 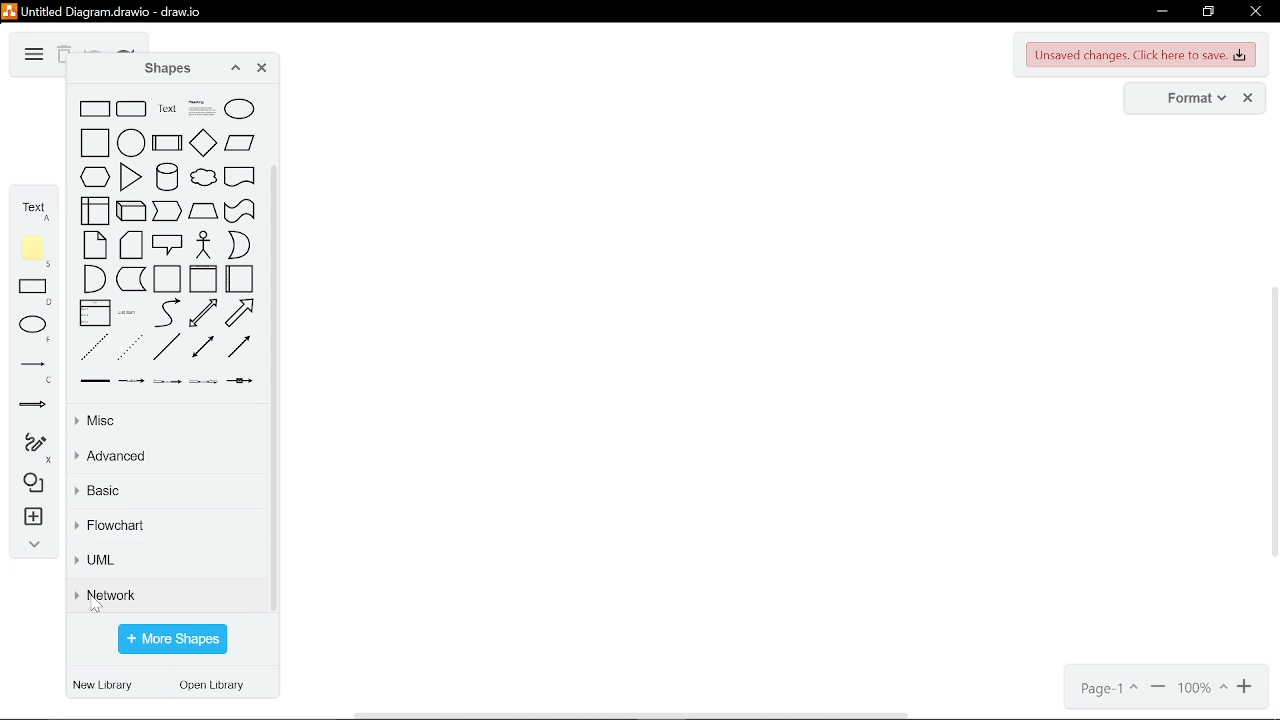 I want to click on shapes, so click(x=161, y=69).